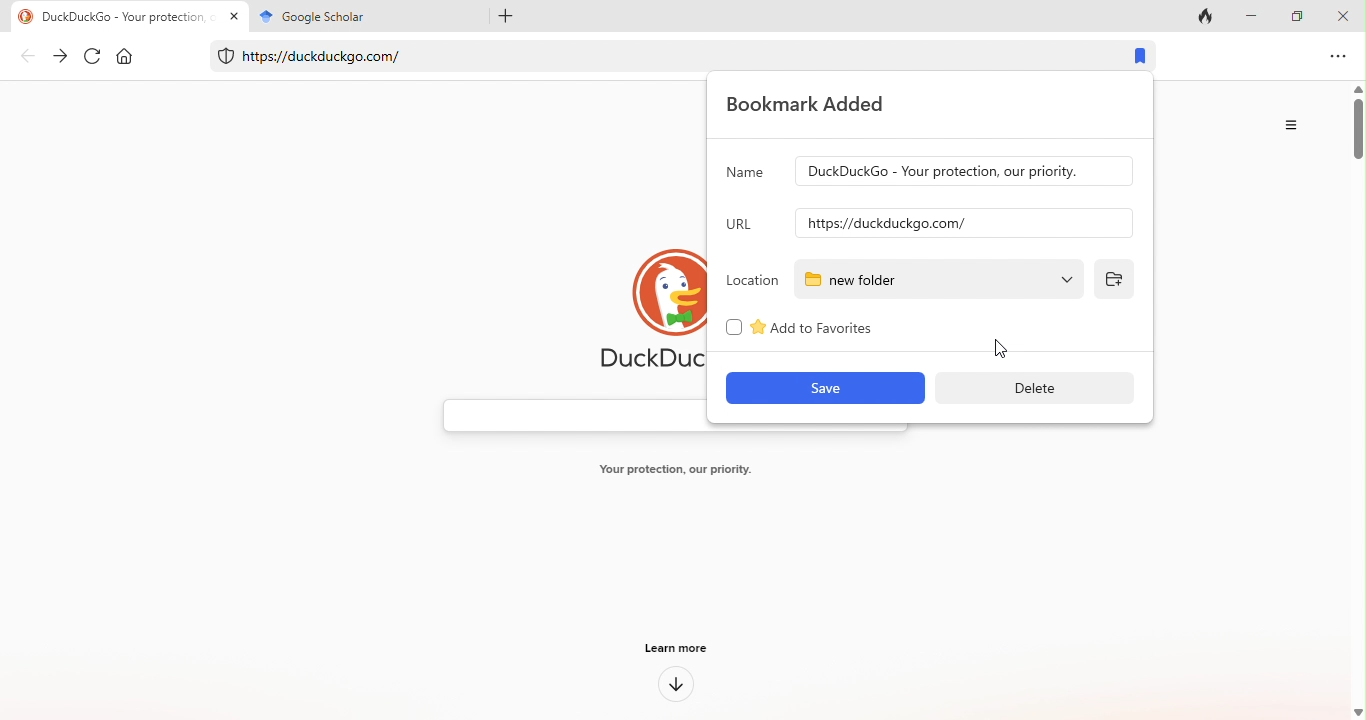 The width and height of the screenshot is (1366, 720). What do you see at coordinates (752, 281) in the screenshot?
I see `location` at bounding box center [752, 281].